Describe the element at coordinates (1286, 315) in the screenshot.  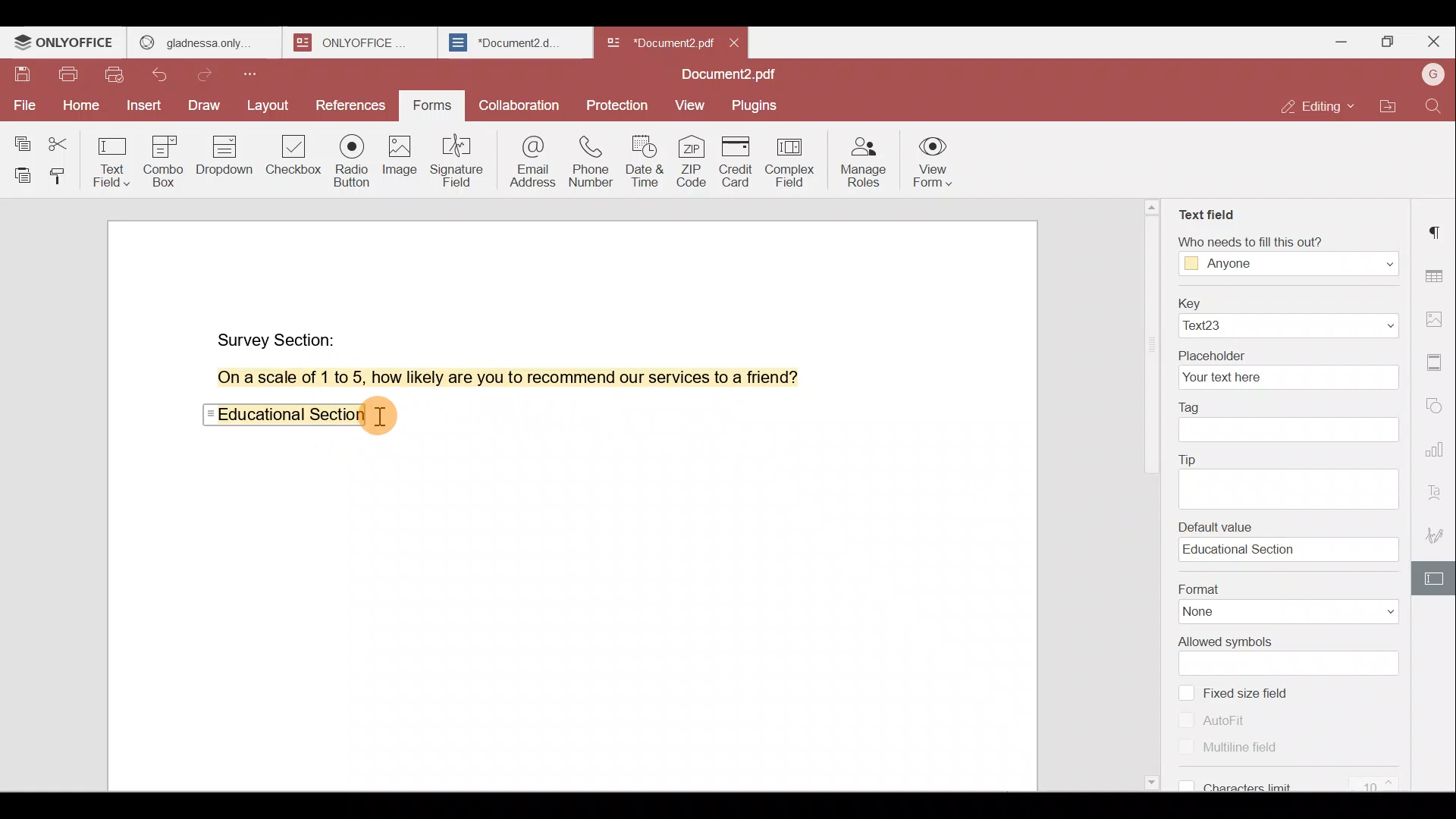
I see `Key` at that location.